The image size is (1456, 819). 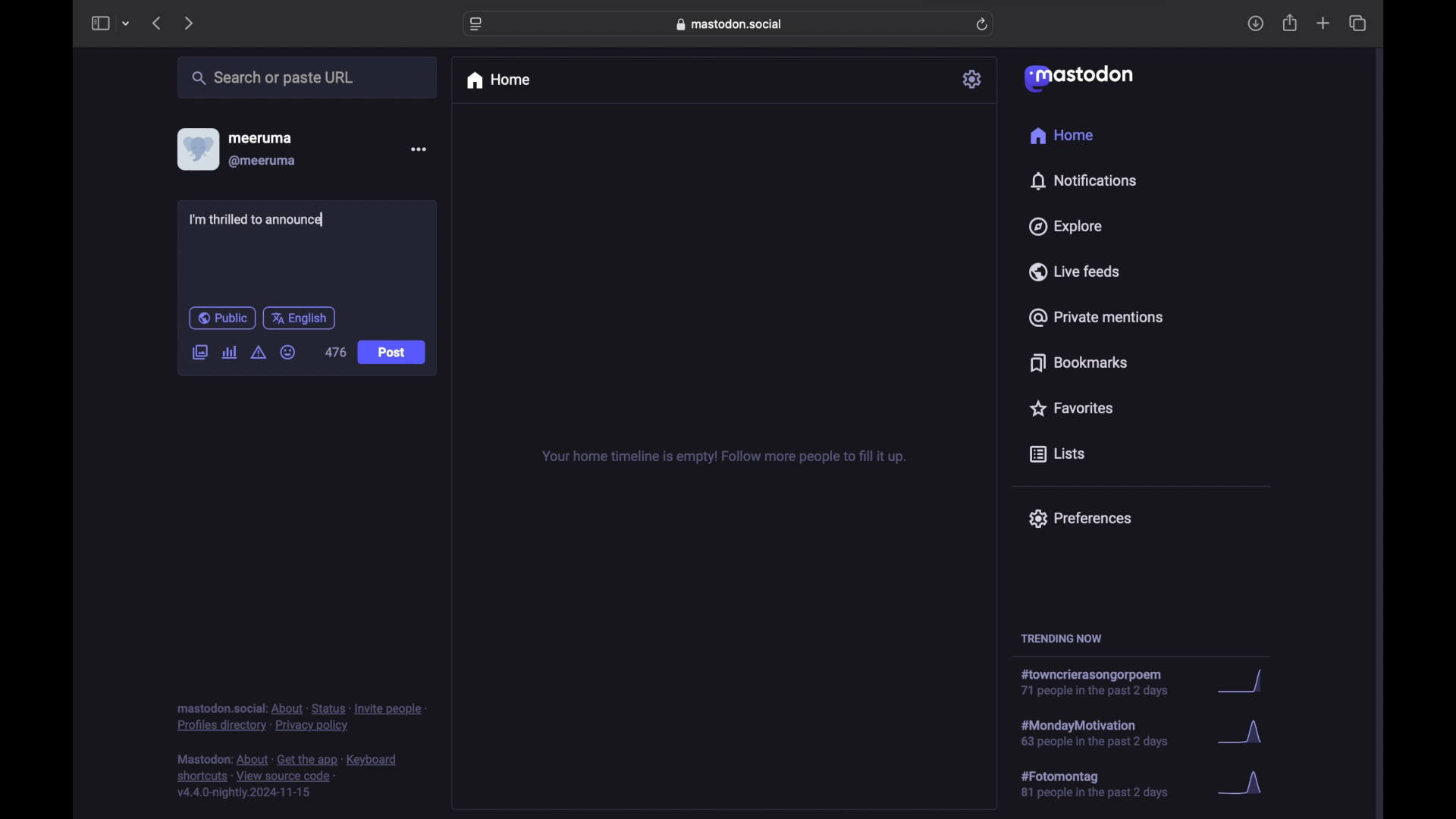 What do you see at coordinates (260, 353) in the screenshot?
I see `add content warning` at bounding box center [260, 353].